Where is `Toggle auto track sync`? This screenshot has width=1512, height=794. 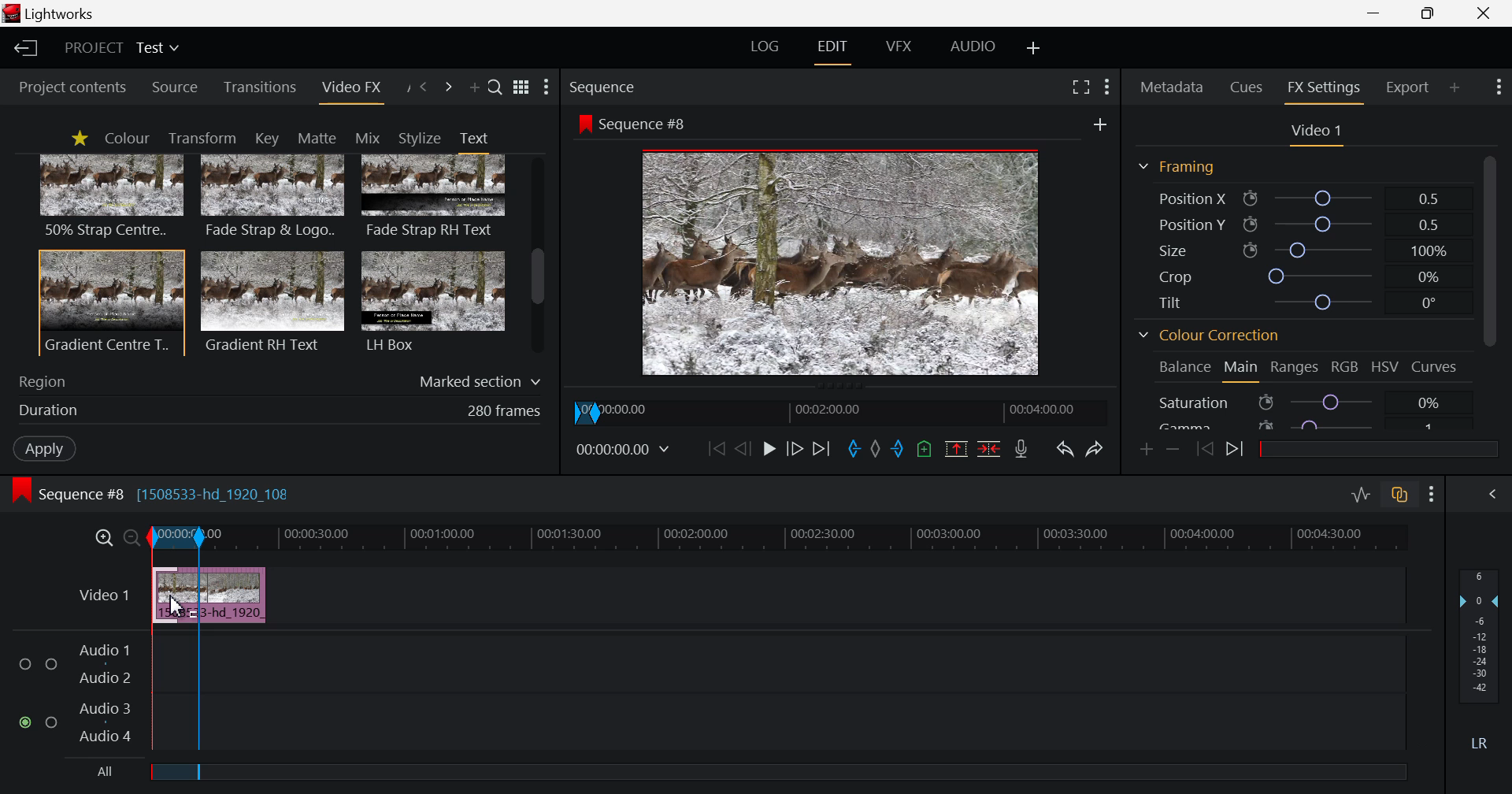 Toggle auto track sync is located at coordinates (1402, 497).